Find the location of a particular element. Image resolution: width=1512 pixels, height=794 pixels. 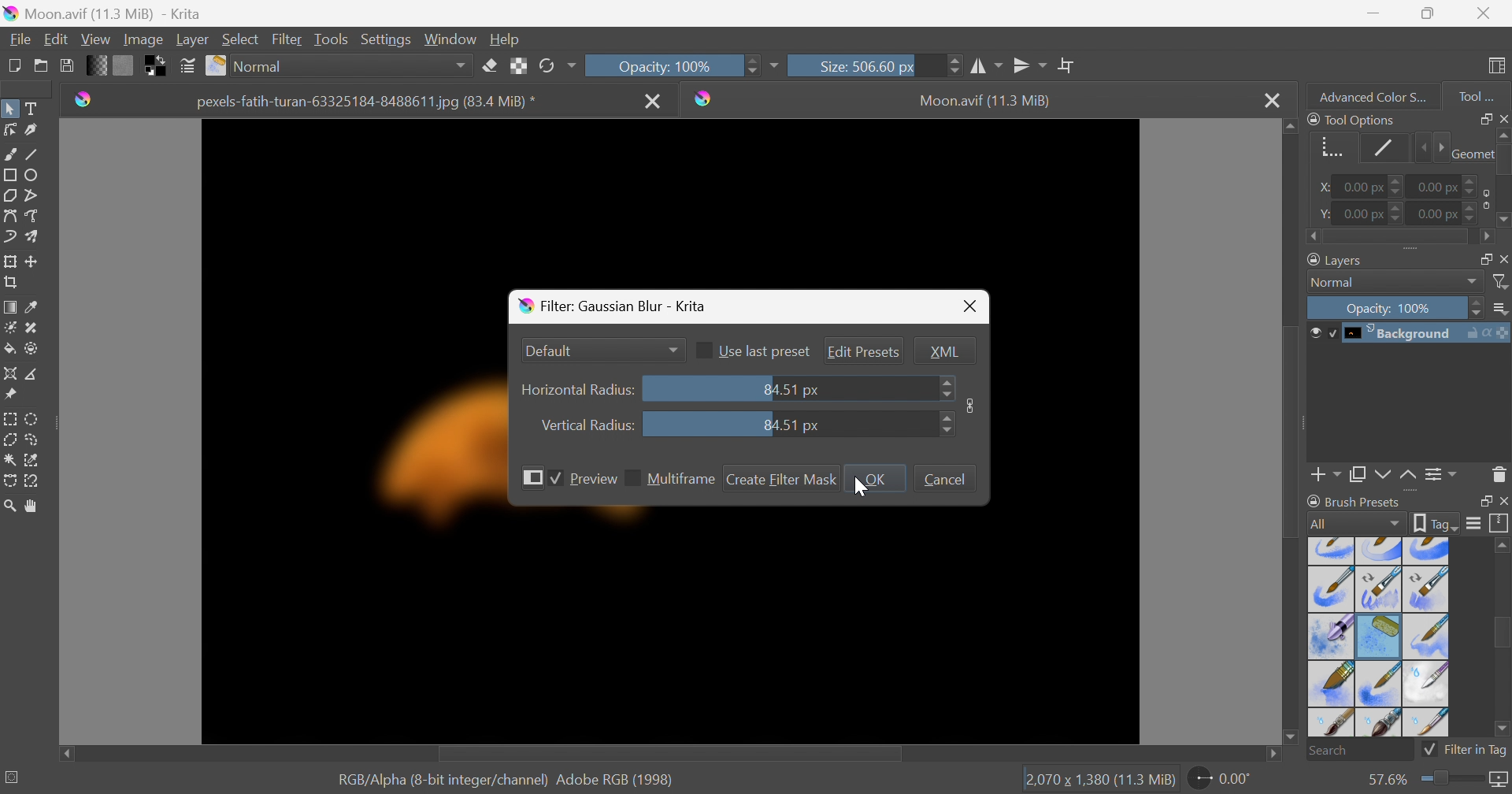

Pan tool is located at coordinates (35, 506).